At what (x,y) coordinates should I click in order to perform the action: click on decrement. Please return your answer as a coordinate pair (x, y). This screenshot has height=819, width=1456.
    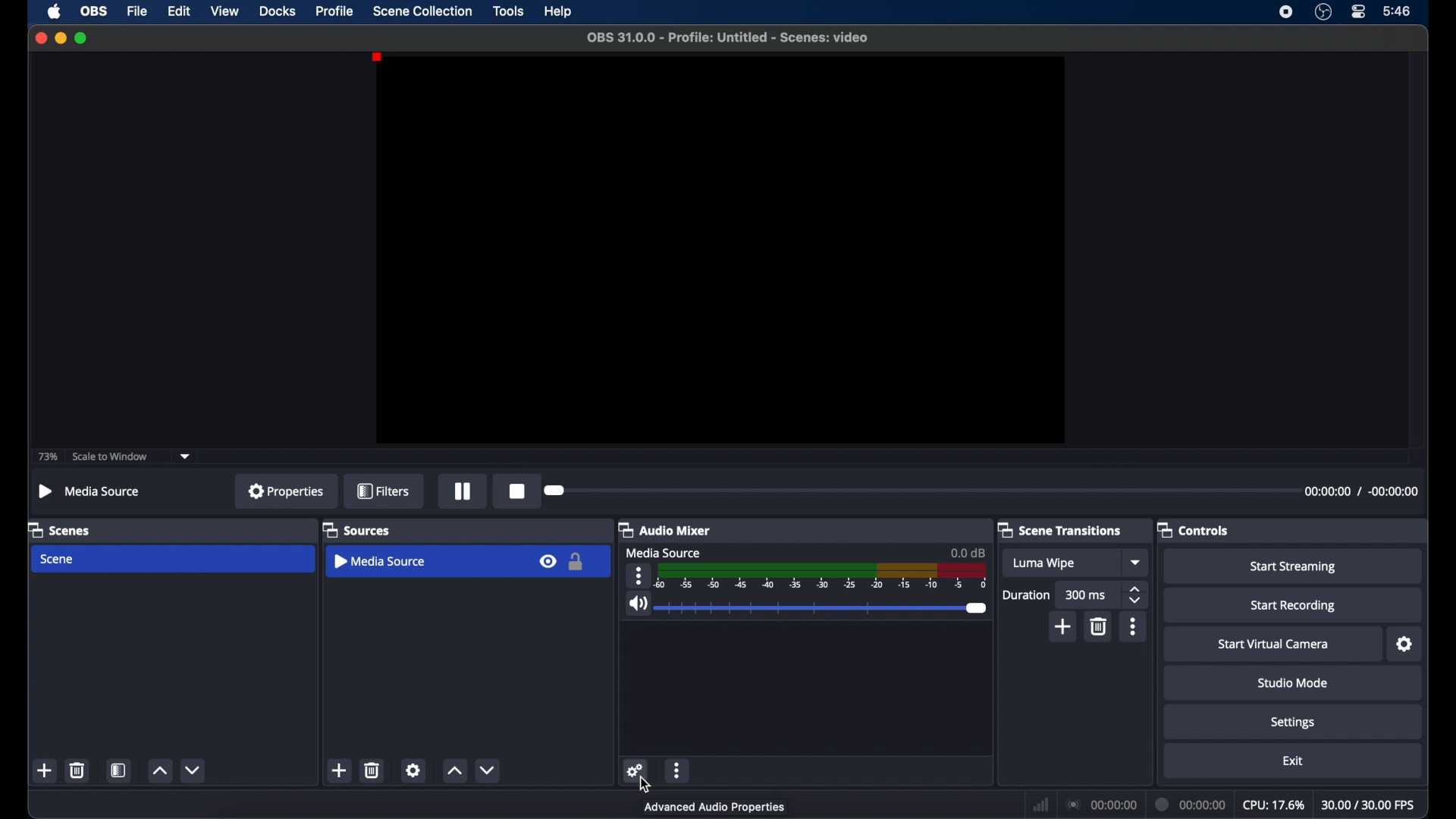
    Looking at the image, I should click on (193, 770).